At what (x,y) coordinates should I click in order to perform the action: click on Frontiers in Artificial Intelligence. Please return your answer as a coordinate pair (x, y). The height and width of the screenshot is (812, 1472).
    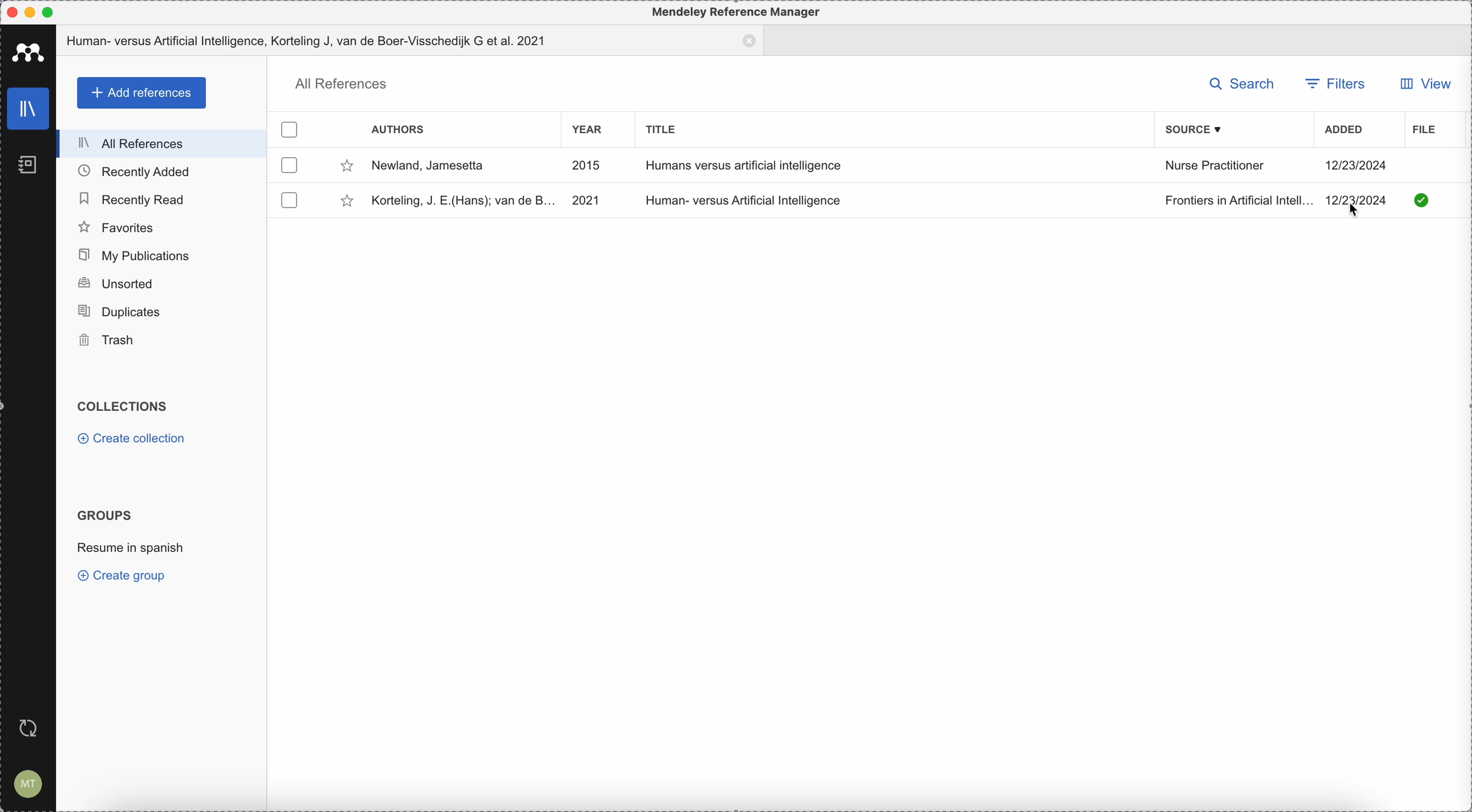
    Looking at the image, I should click on (1239, 200).